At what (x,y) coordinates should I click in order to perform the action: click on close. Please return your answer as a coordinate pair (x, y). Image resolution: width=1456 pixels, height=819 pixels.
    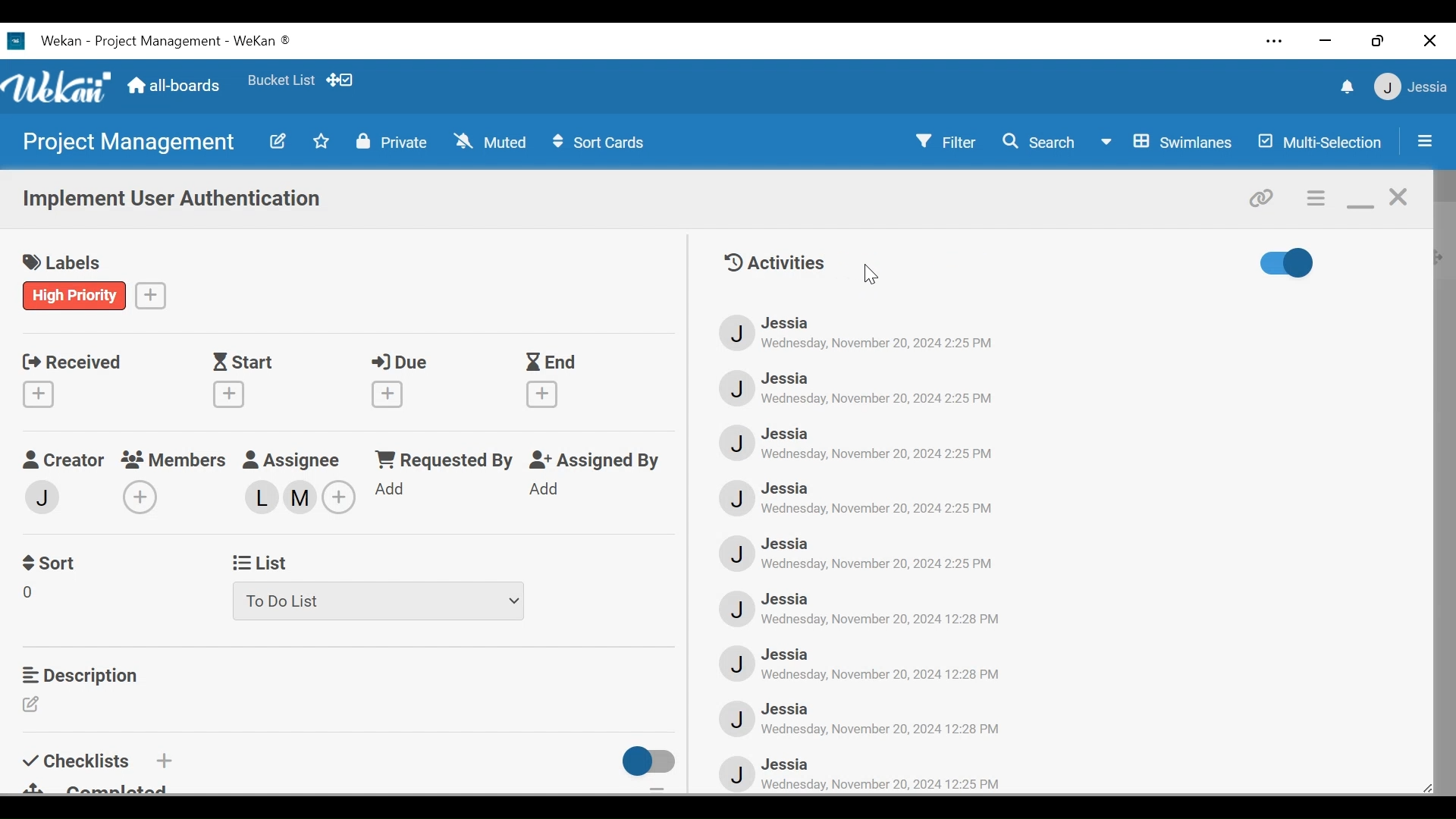
    Looking at the image, I should click on (1398, 196).